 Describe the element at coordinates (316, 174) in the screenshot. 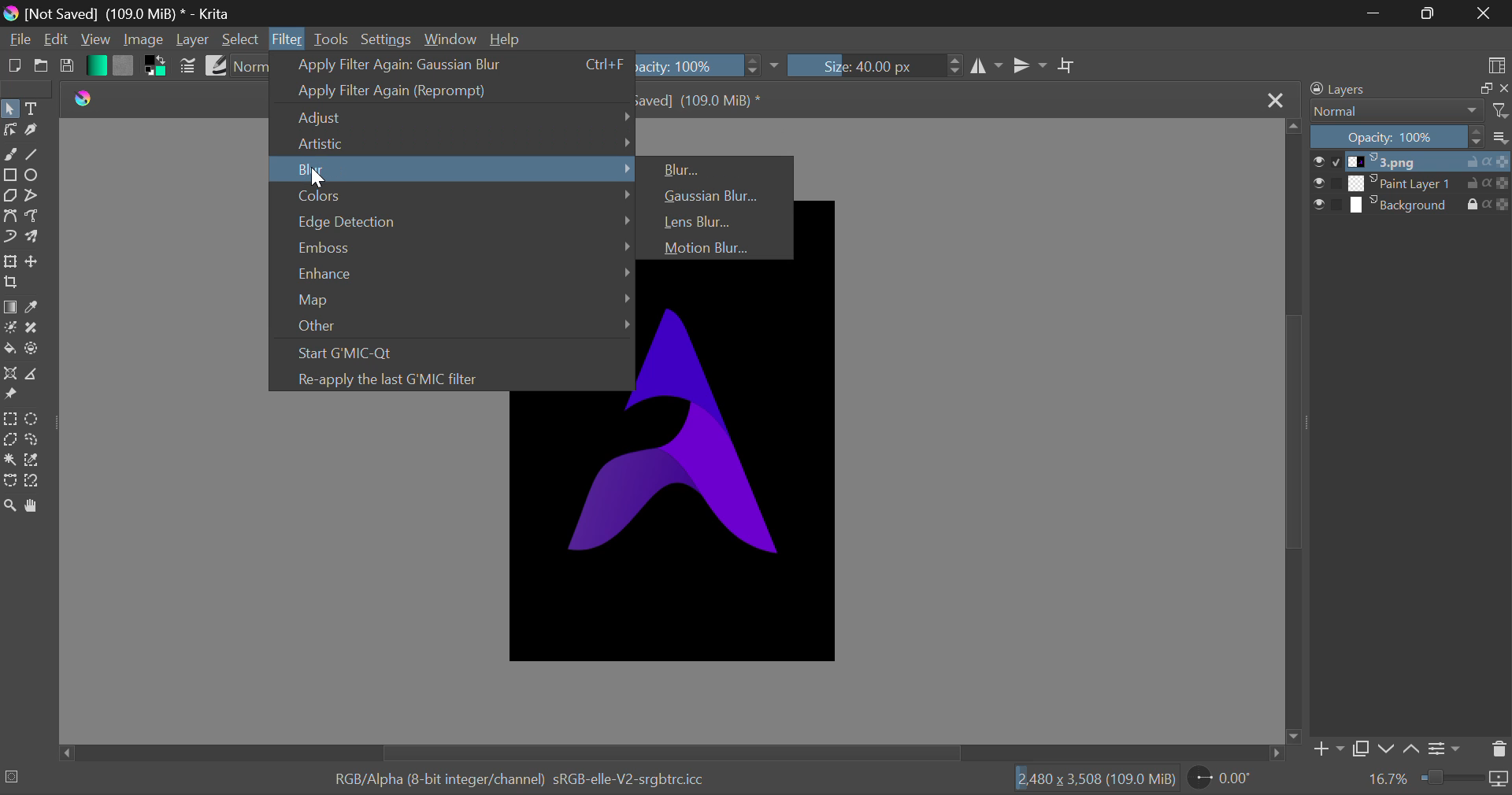

I see `Cursor Position` at that location.